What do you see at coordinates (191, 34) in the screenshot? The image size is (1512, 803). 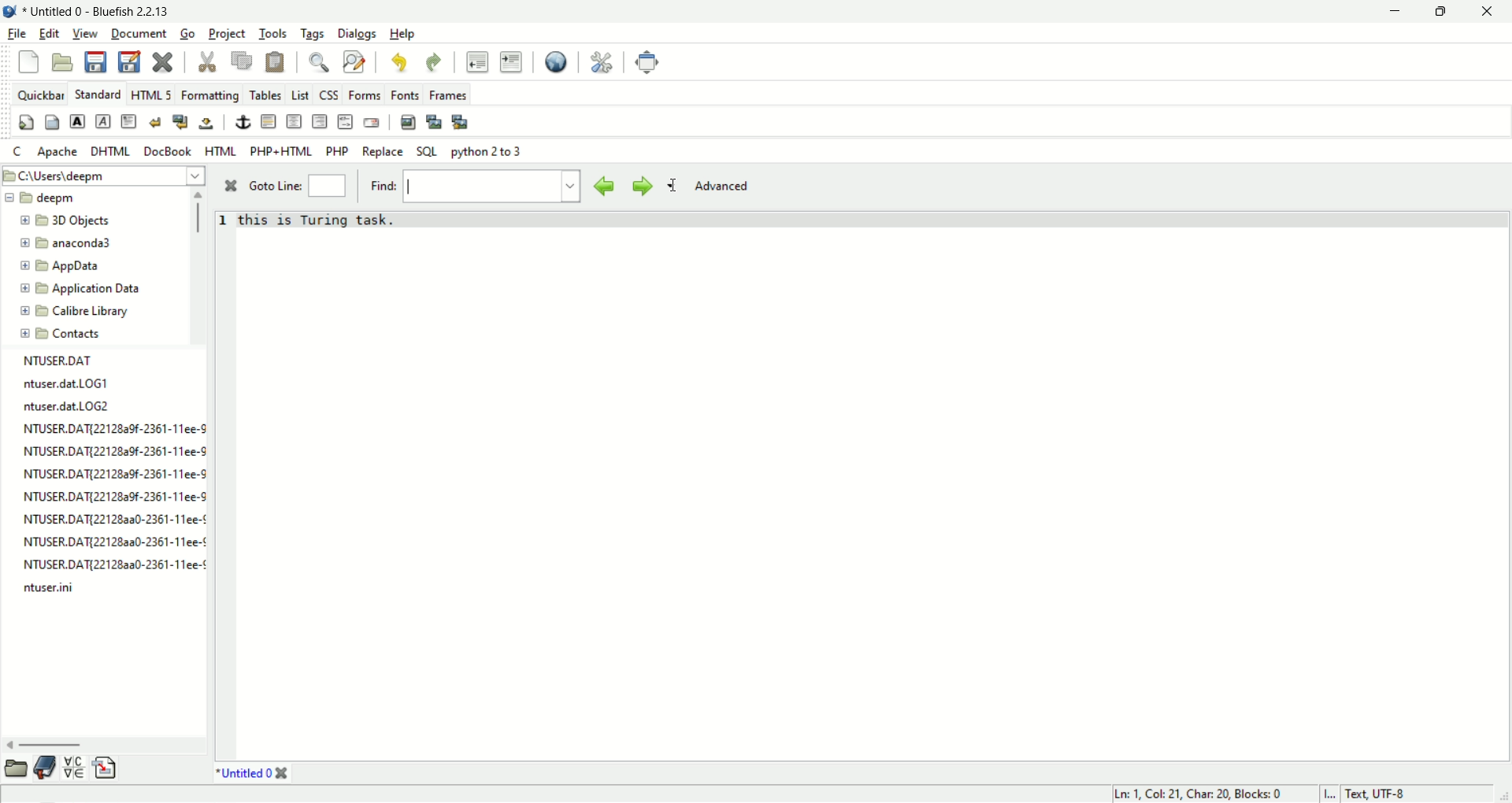 I see `Go` at bounding box center [191, 34].